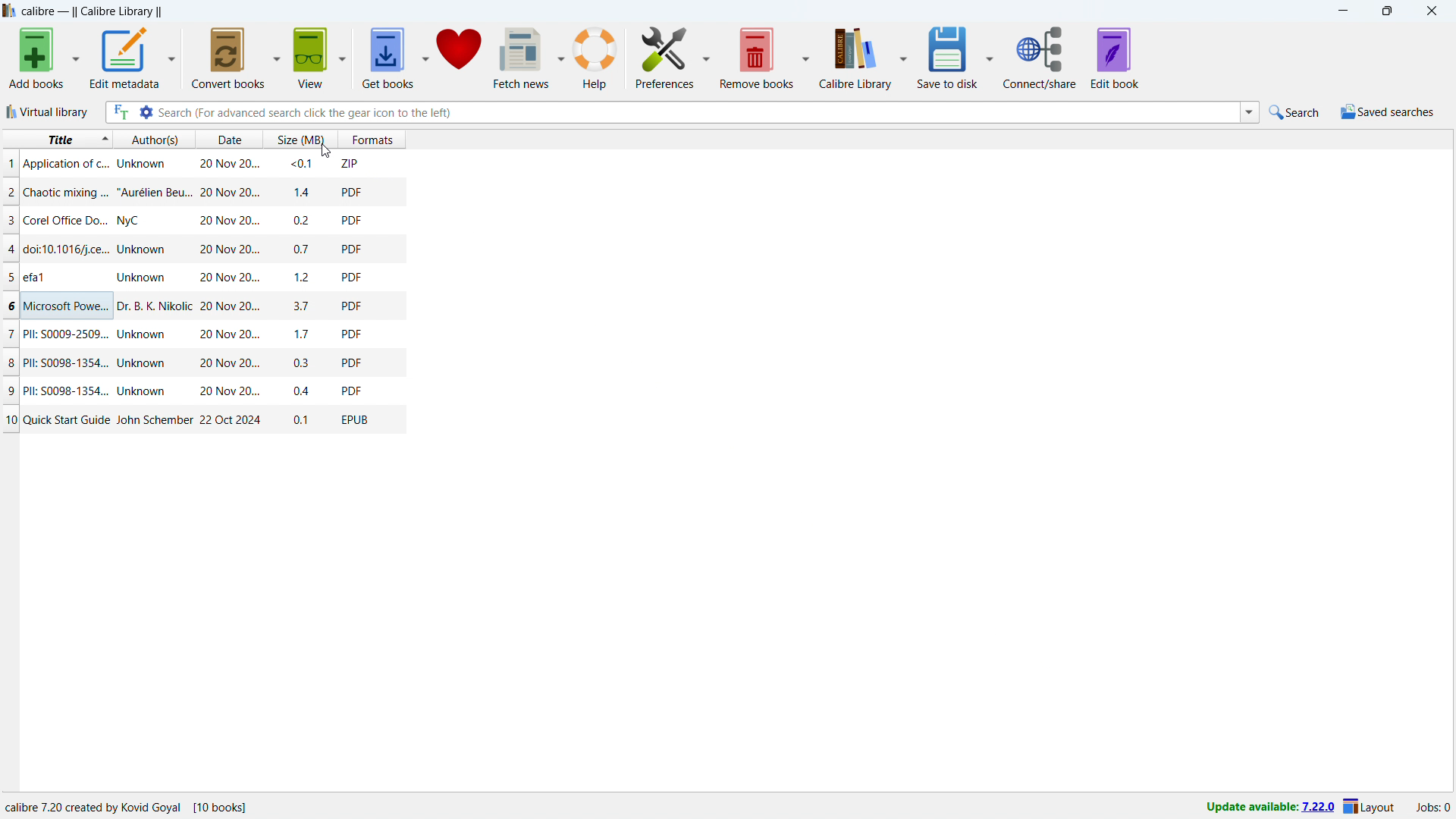 The width and height of the screenshot is (1456, 819). I want to click on PDF, so click(354, 191).